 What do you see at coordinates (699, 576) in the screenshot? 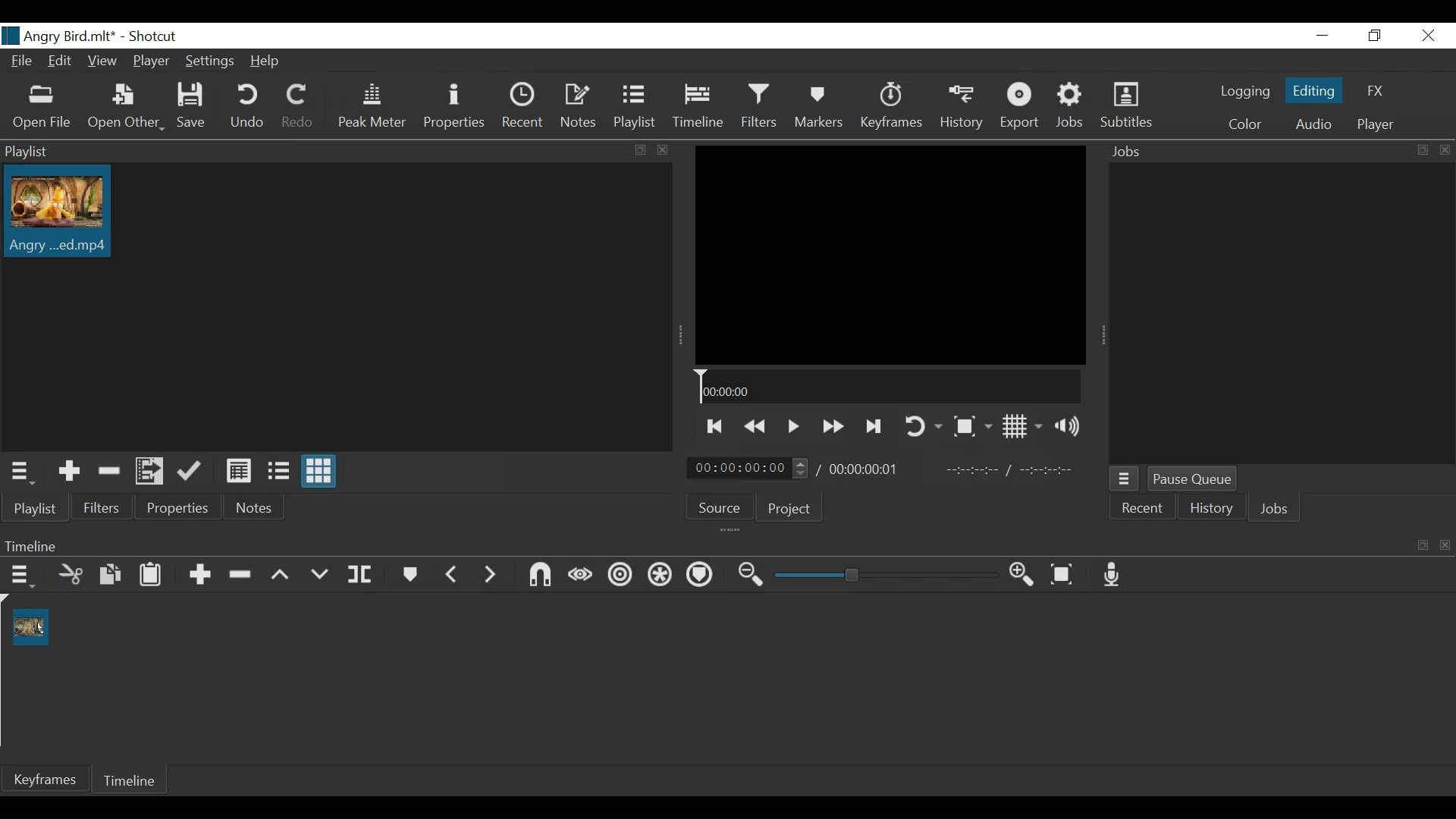
I see `Ripple markers` at bounding box center [699, 576].